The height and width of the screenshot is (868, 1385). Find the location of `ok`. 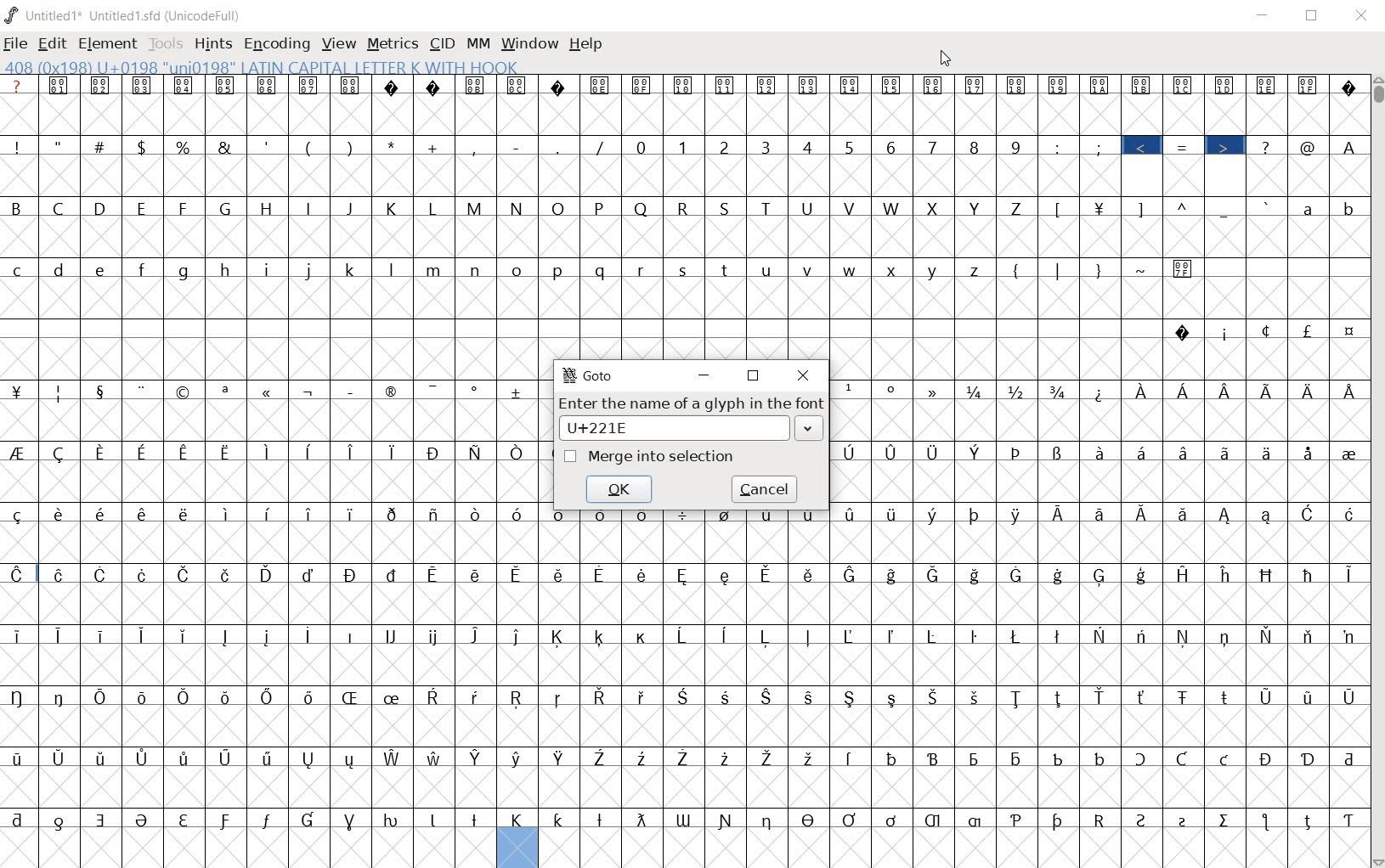

ok is located at coordinates (623, 488).